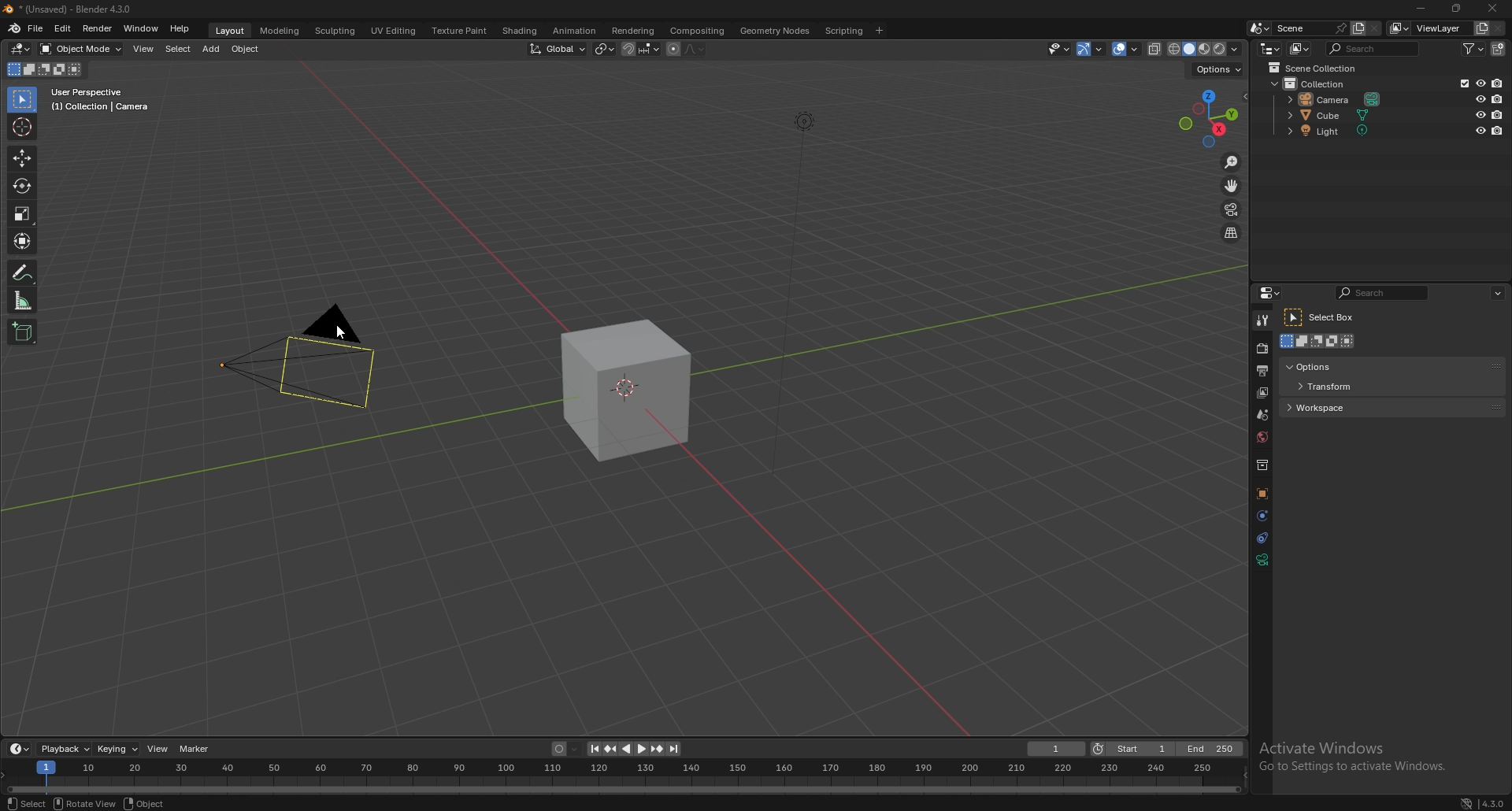  What do you see at coordinates (246, 50) in the screenshot?
I see `object` at bounding box center [246, 50].